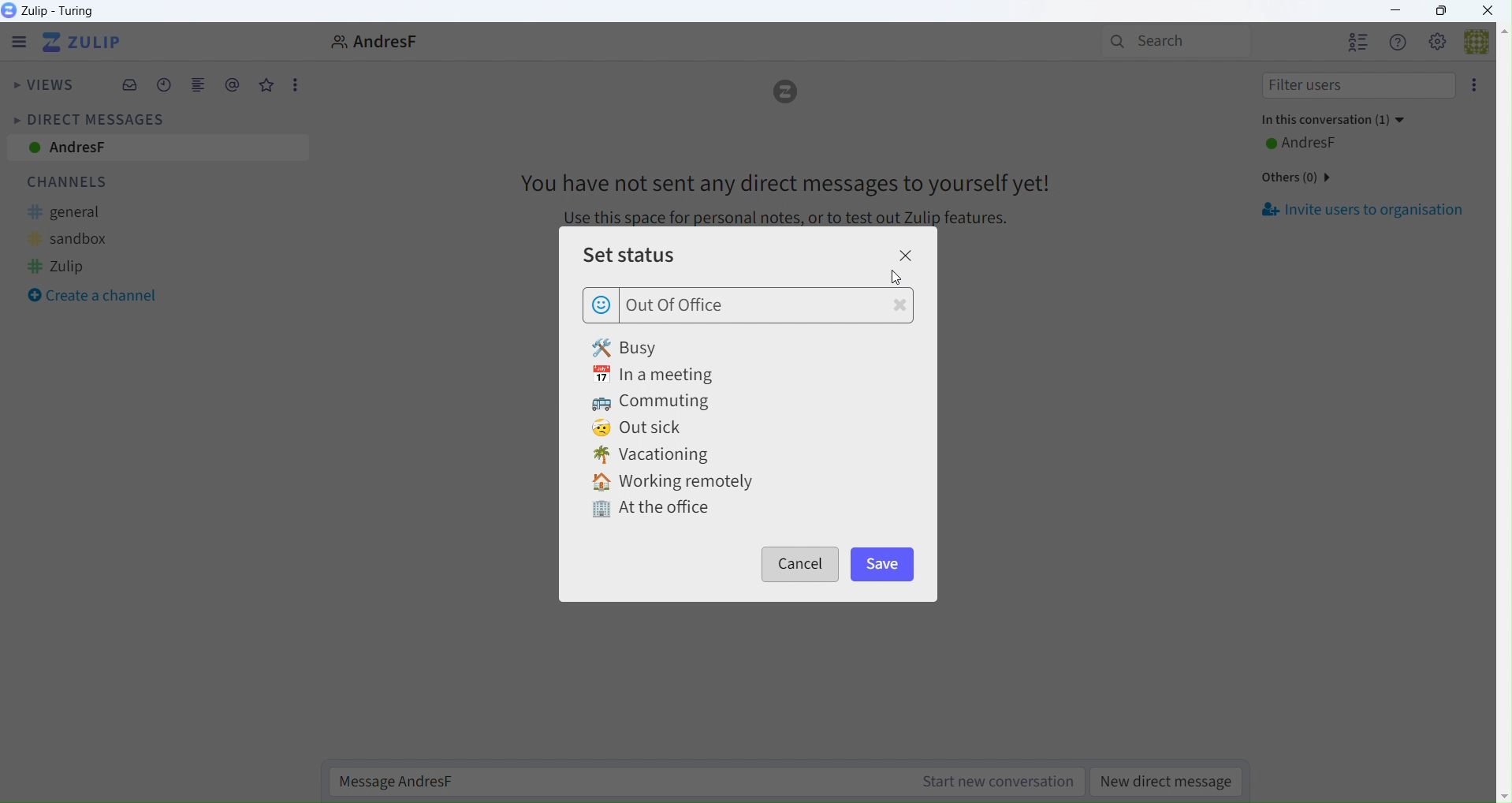 This screenshot has width=1512, height=803. Describe the element at coordinates (654, 401) in the screenshot. I see `Commuting` at that location.